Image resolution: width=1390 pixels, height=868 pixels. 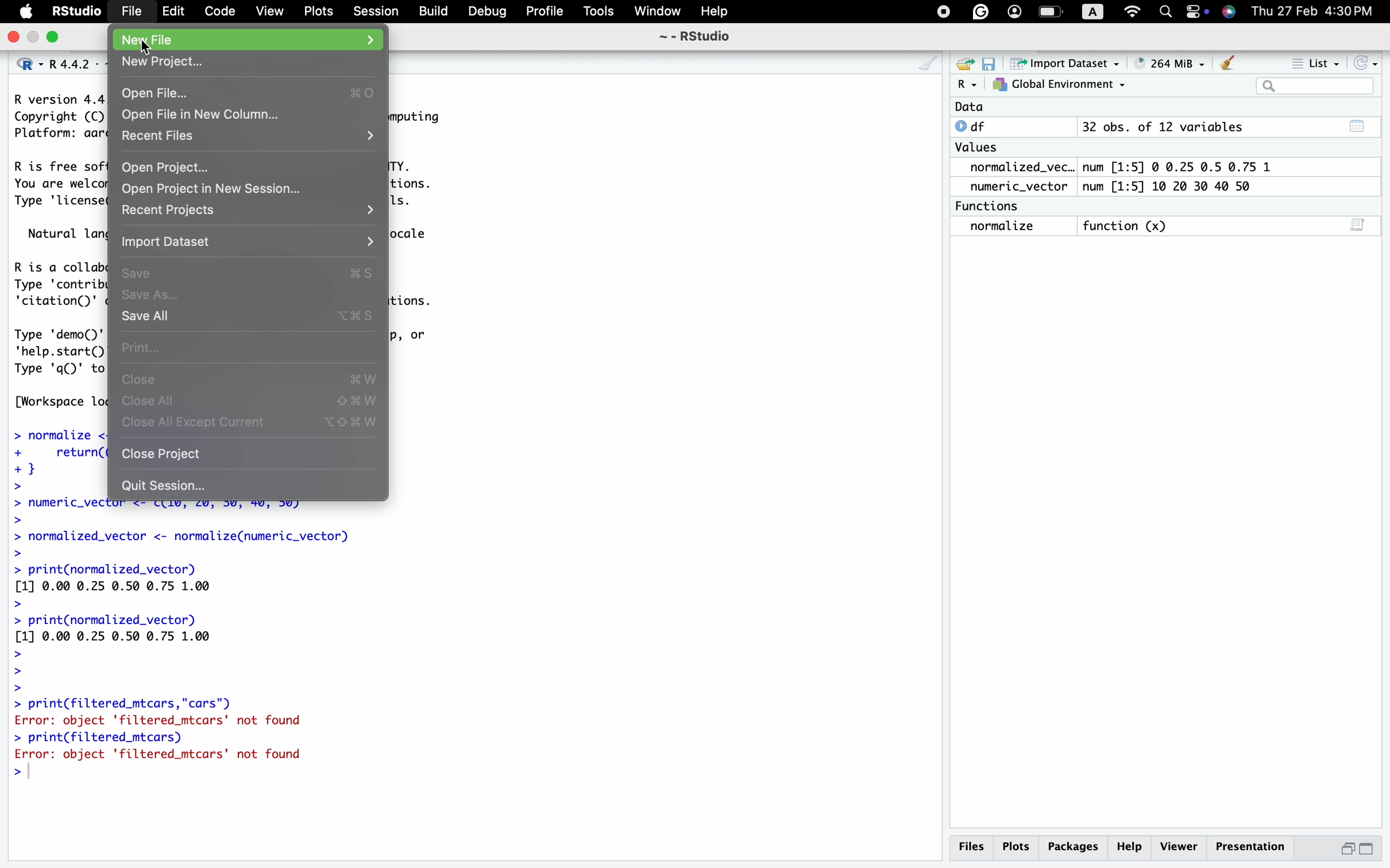 What do you see at coordinates (1319, 86) in the screenshot?
I see `search field` at bounding box center [1319, 86].